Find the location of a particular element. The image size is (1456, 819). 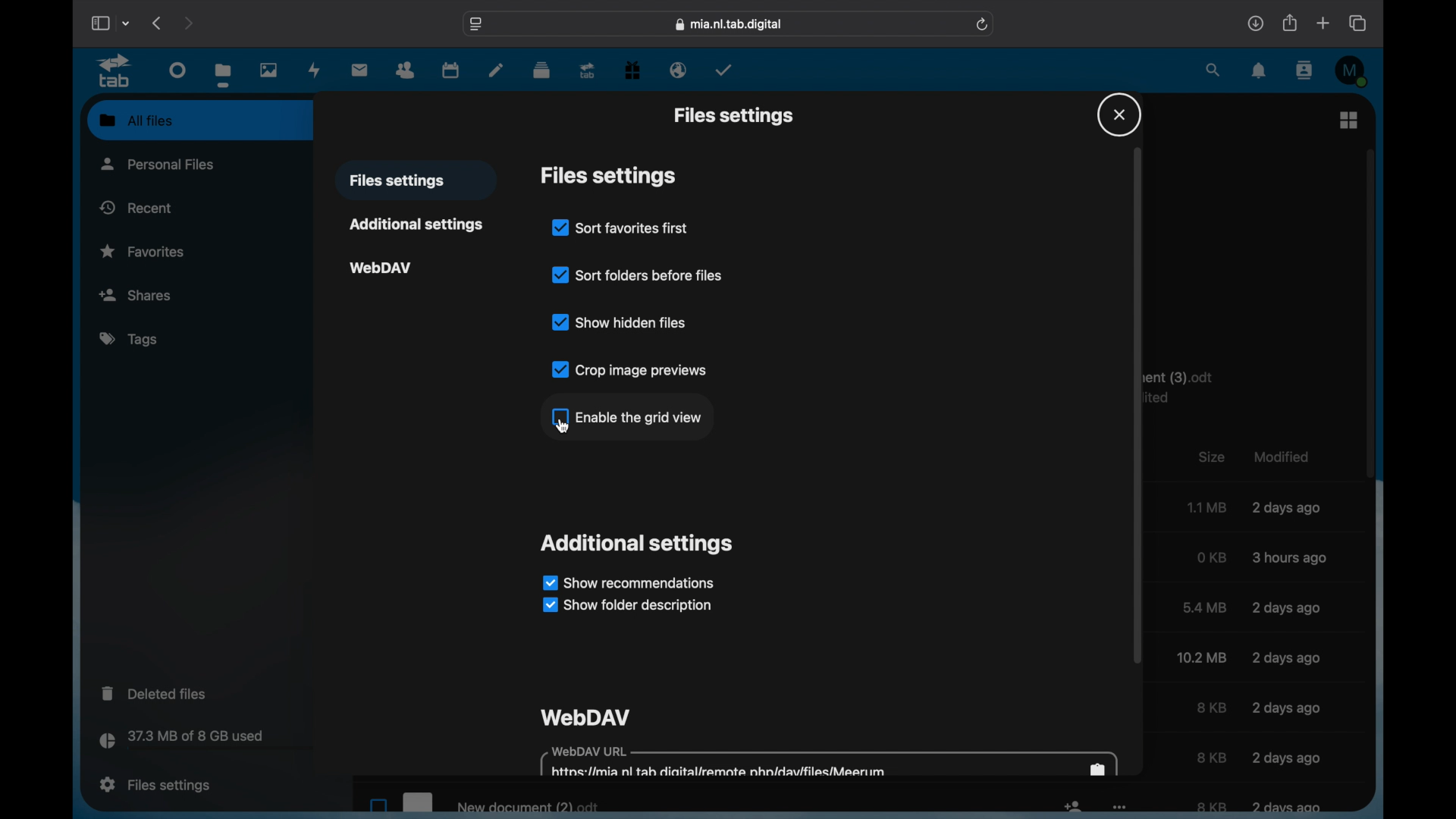

scroll box is located at coordinates (1371, 312).